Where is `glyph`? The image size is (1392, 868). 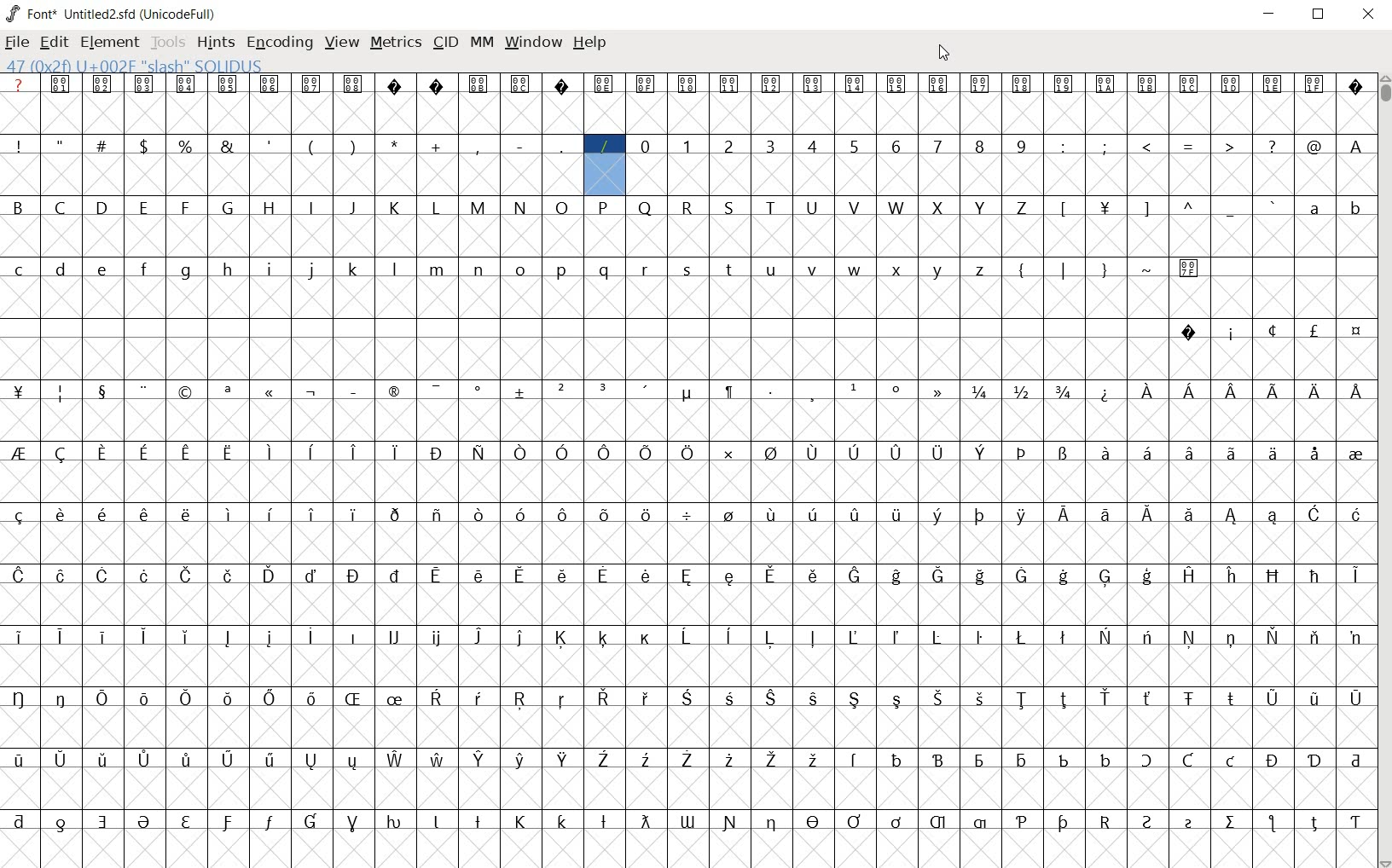
glyph is located at coordinates (1314, 761).